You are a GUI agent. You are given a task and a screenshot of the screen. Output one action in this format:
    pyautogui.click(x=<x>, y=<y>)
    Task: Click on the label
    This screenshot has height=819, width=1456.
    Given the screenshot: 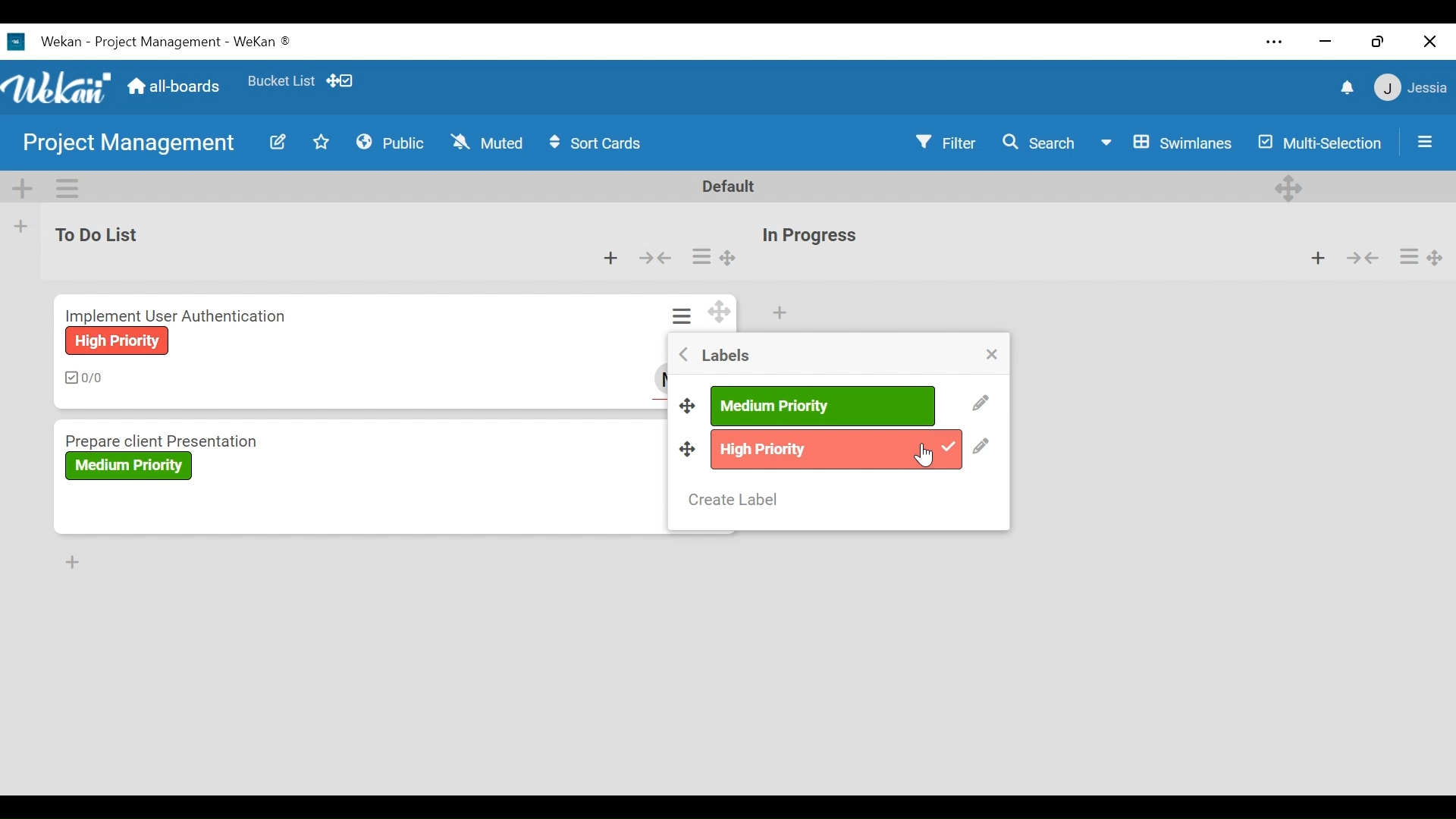 What is the action you would take?
    pyautogui.click(x=822, y=406)
    